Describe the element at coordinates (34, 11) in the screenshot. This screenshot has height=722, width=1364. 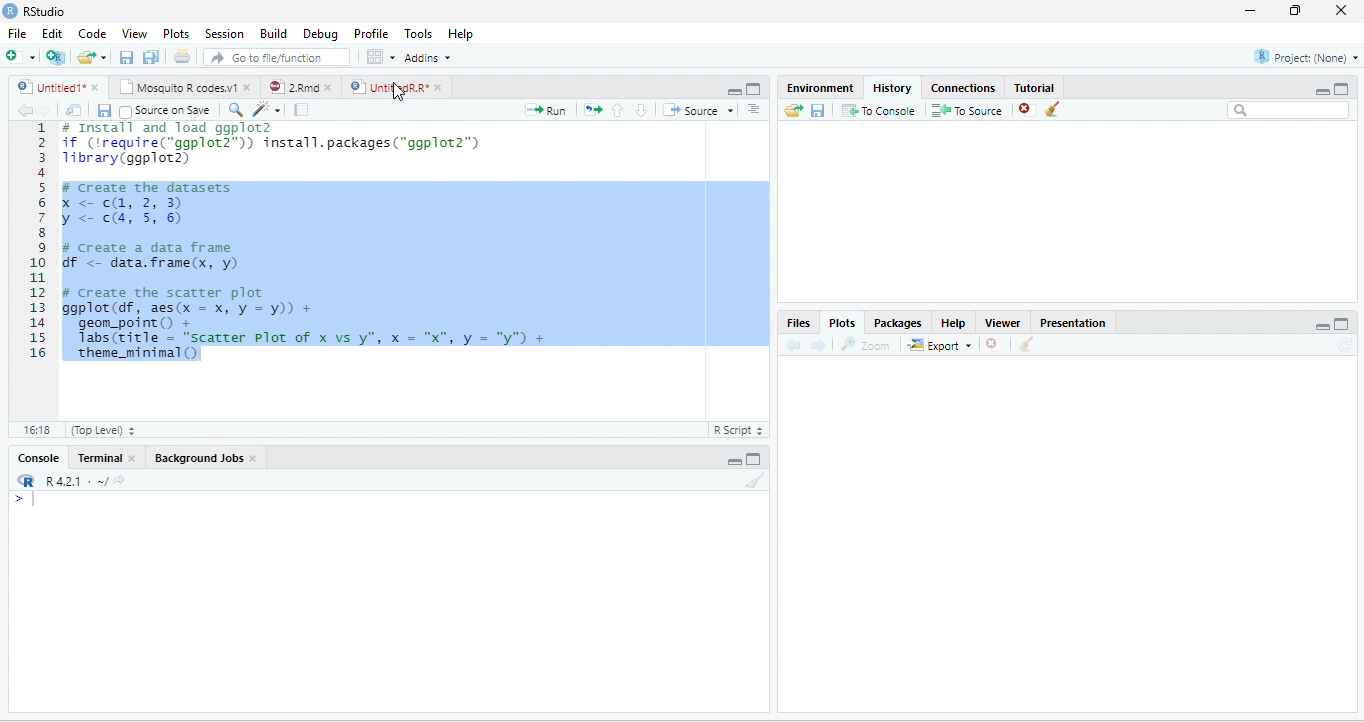
I see `RStudio` at that location.